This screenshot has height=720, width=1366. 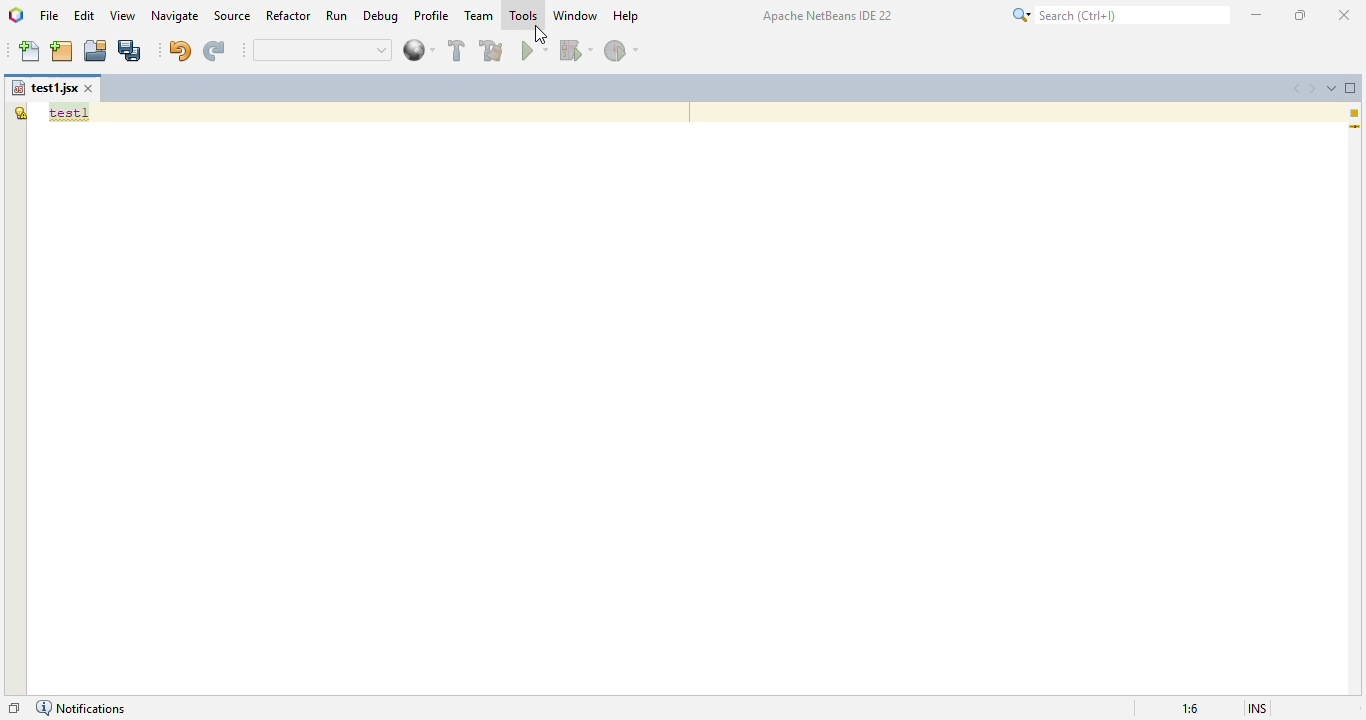 What do you see at coordinates (62, 51) in the screenshot?
I see `new project` at bounding box center [62, 51].